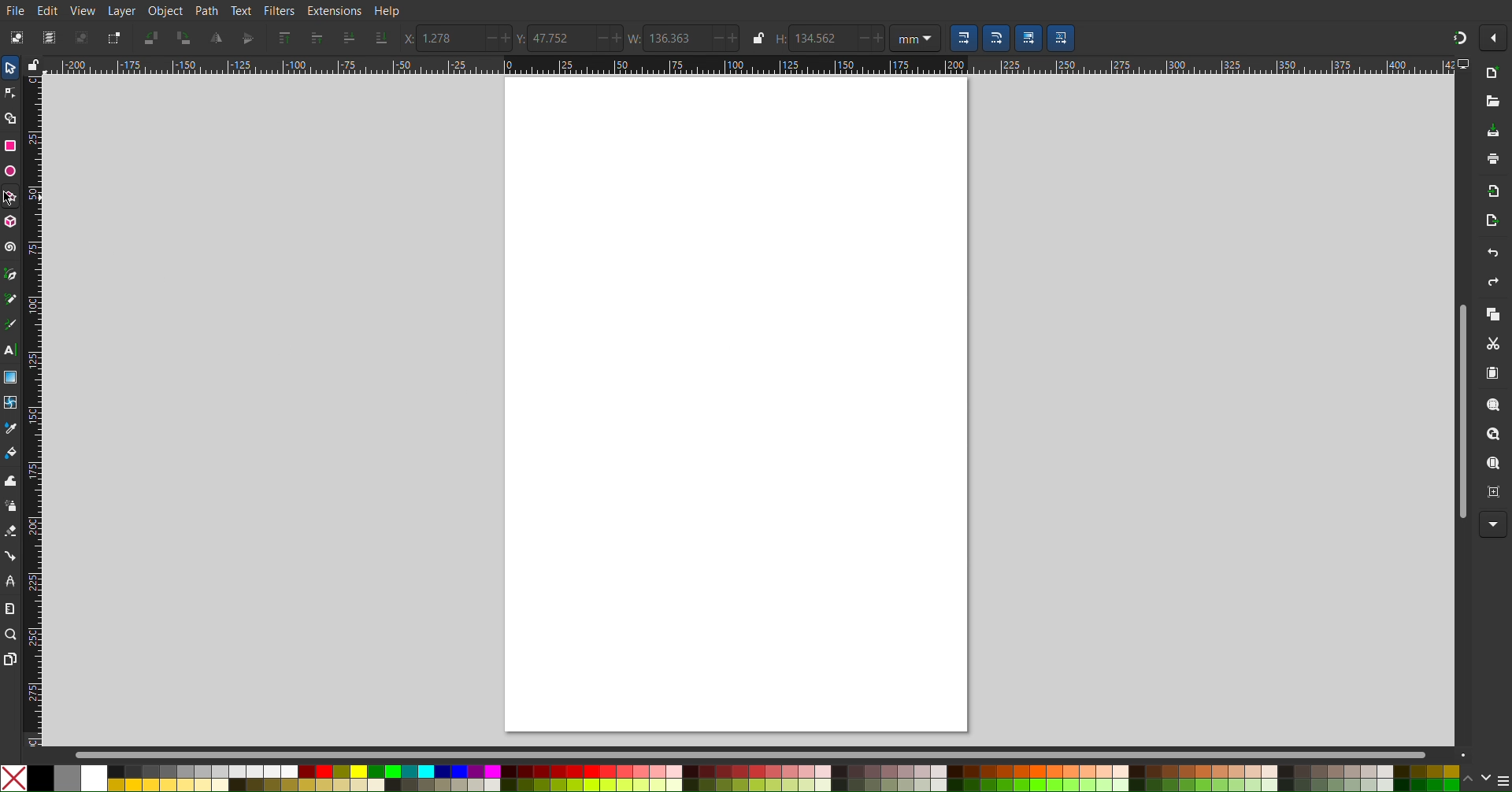  I want to click on Object, so click(167, 11).